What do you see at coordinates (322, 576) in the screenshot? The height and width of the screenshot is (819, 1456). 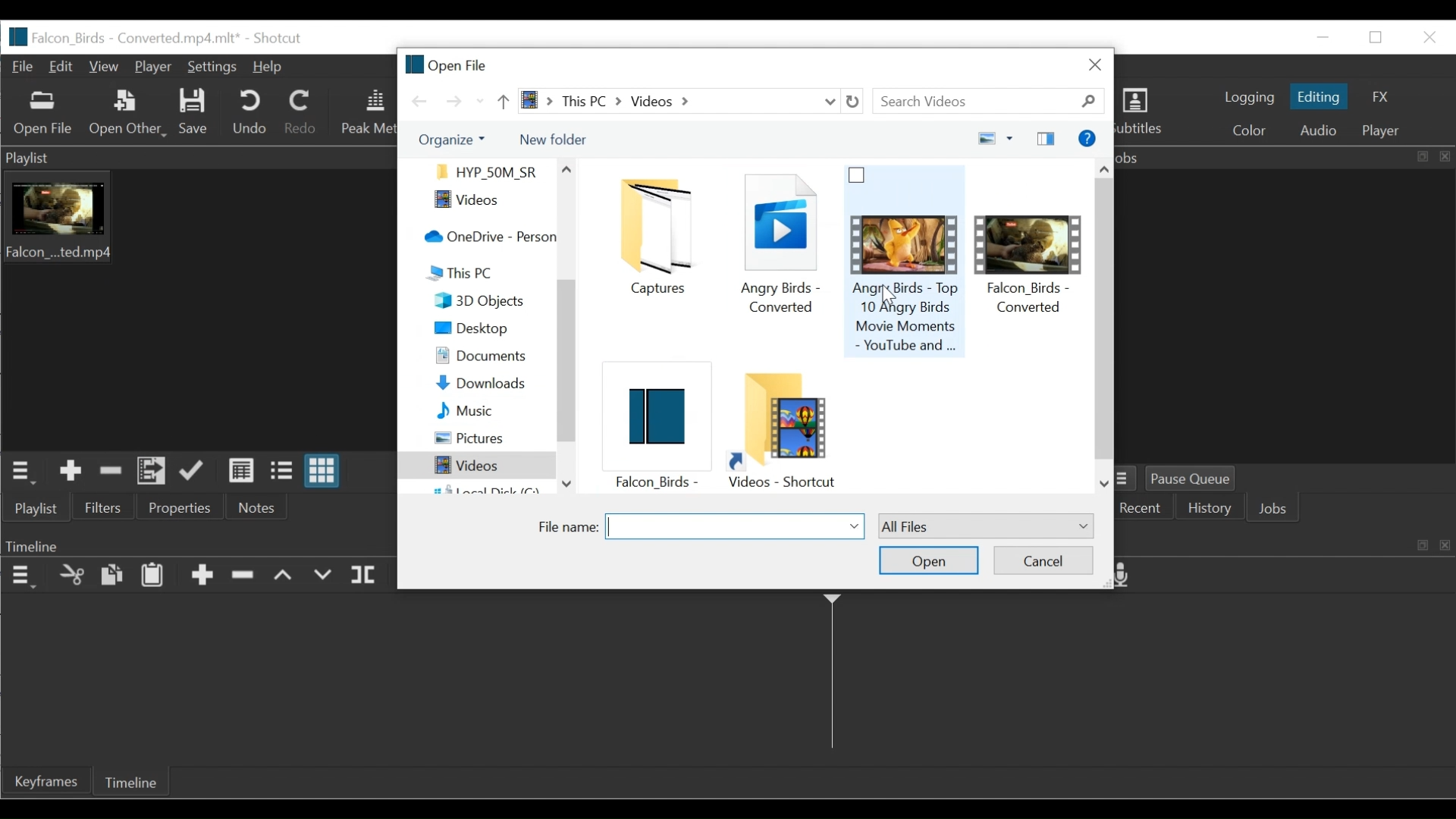 I see `Overwrite` at bounding box center [322, 576].